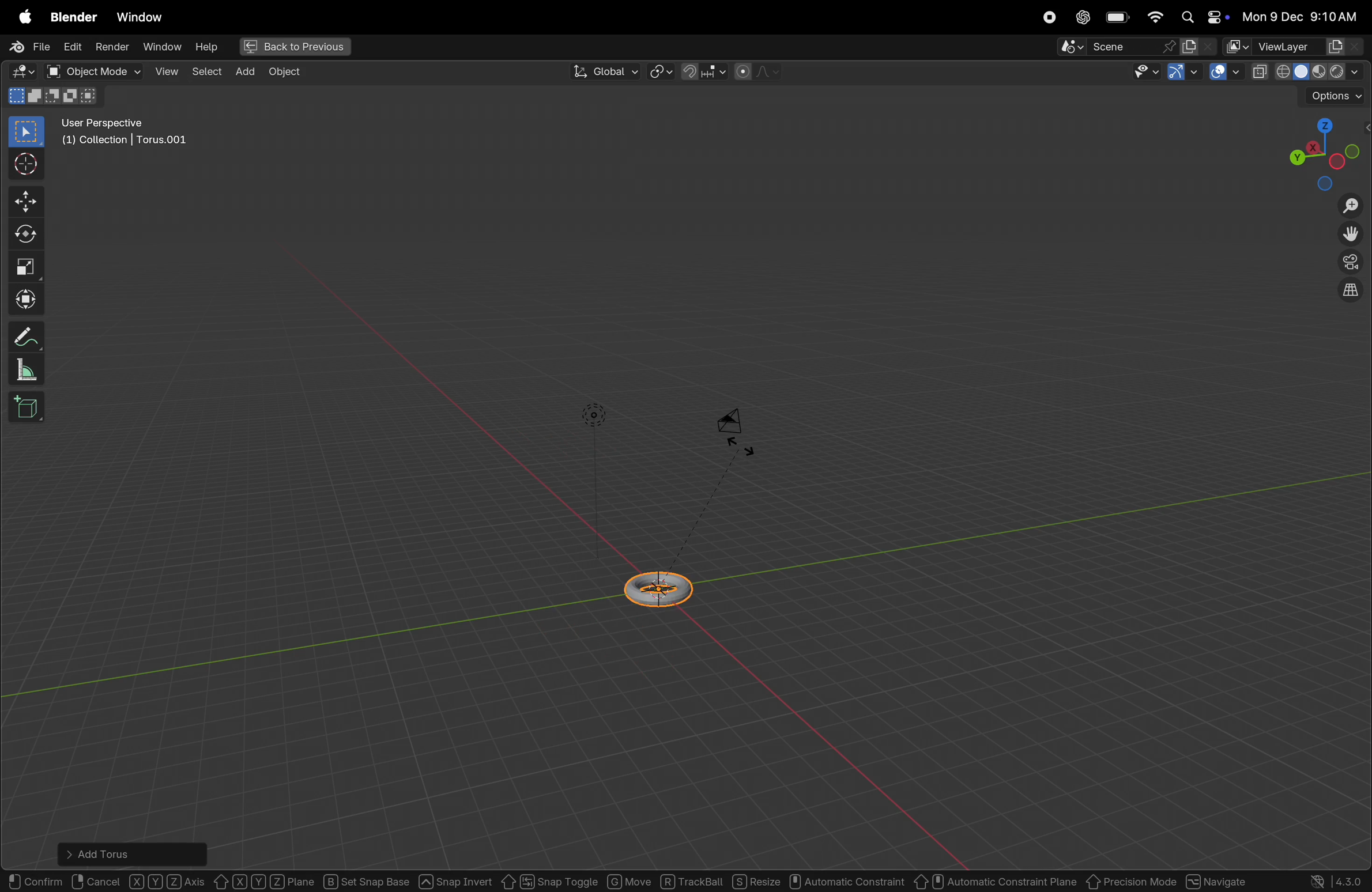 This screenshot has width=1372, height=892. Describe the element at coordinates (265, 879) in the screenshot. I see `xyz plane` at that location.